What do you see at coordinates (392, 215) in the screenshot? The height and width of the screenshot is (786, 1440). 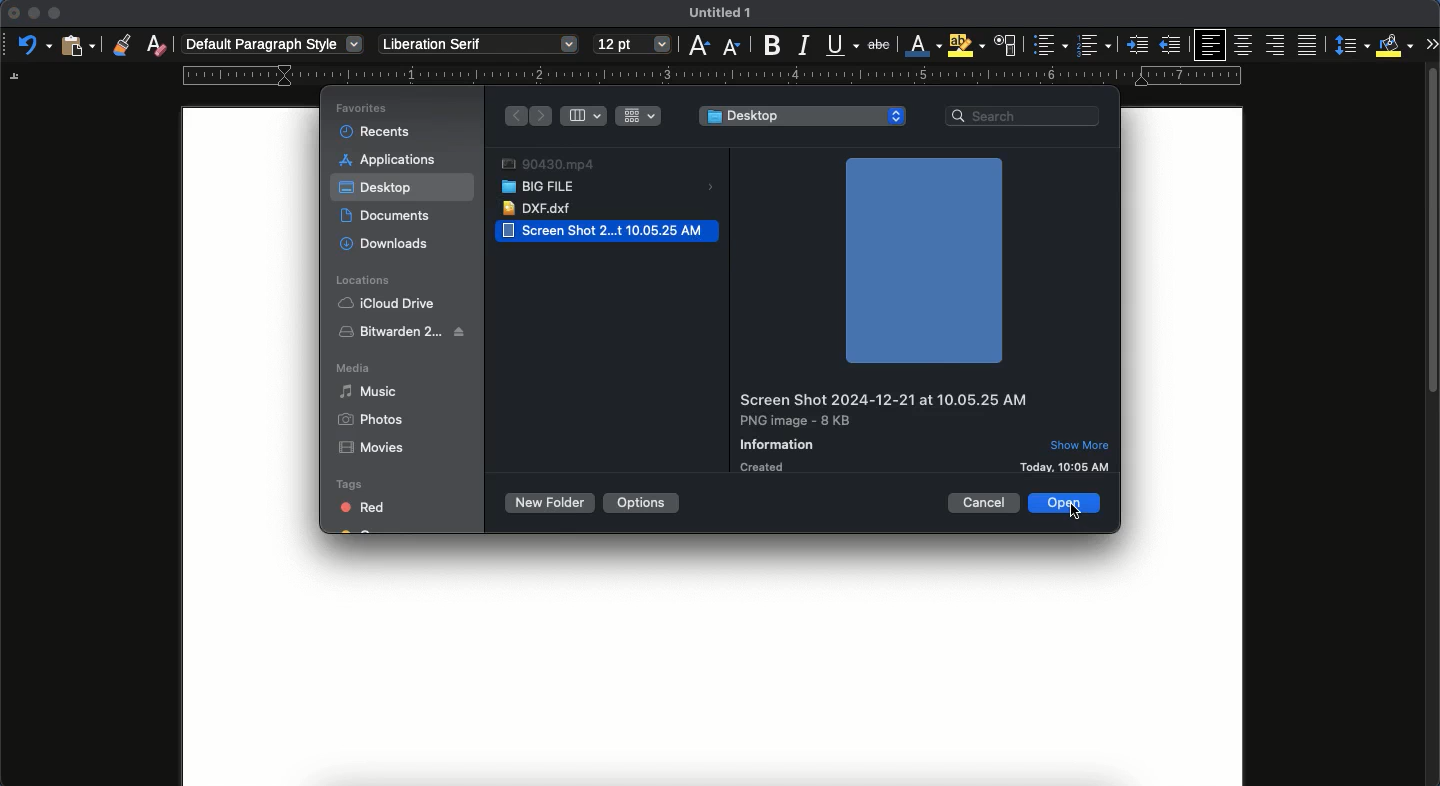 I see `documents` at bounding box center [392, 215].